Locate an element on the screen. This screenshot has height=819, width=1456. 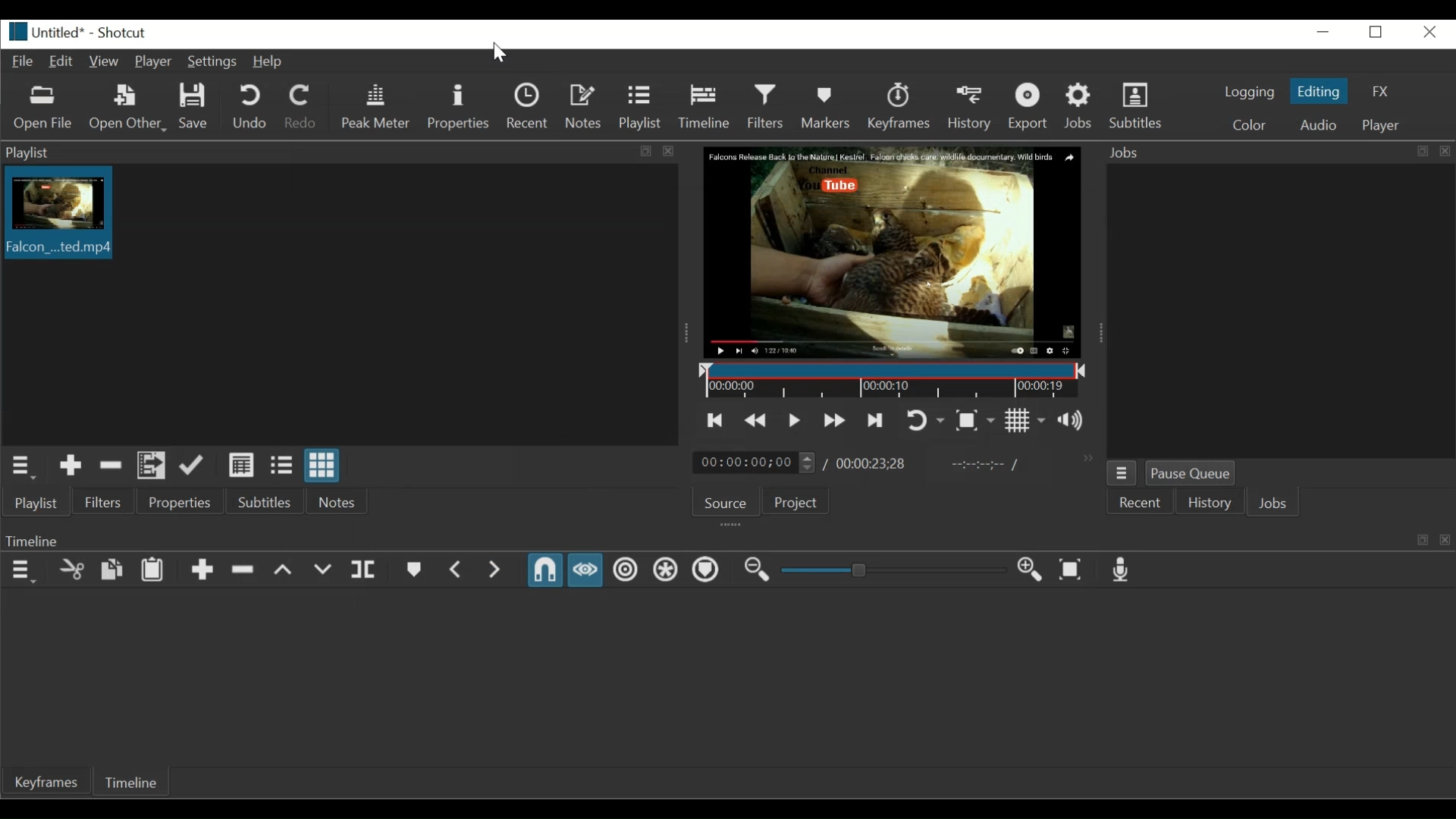
Pointer is located at coordinates (499, 53).